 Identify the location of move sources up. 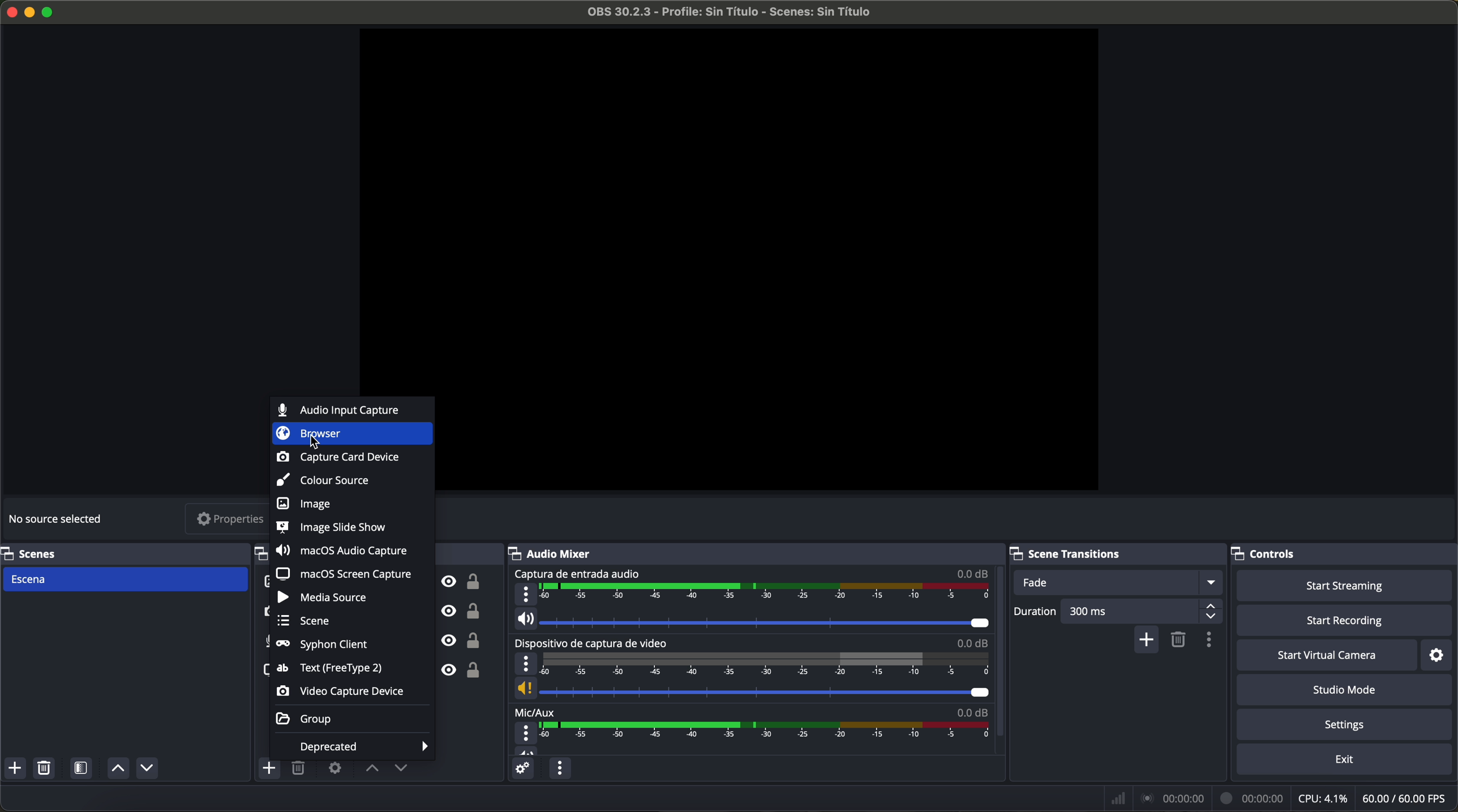
(118, 768).